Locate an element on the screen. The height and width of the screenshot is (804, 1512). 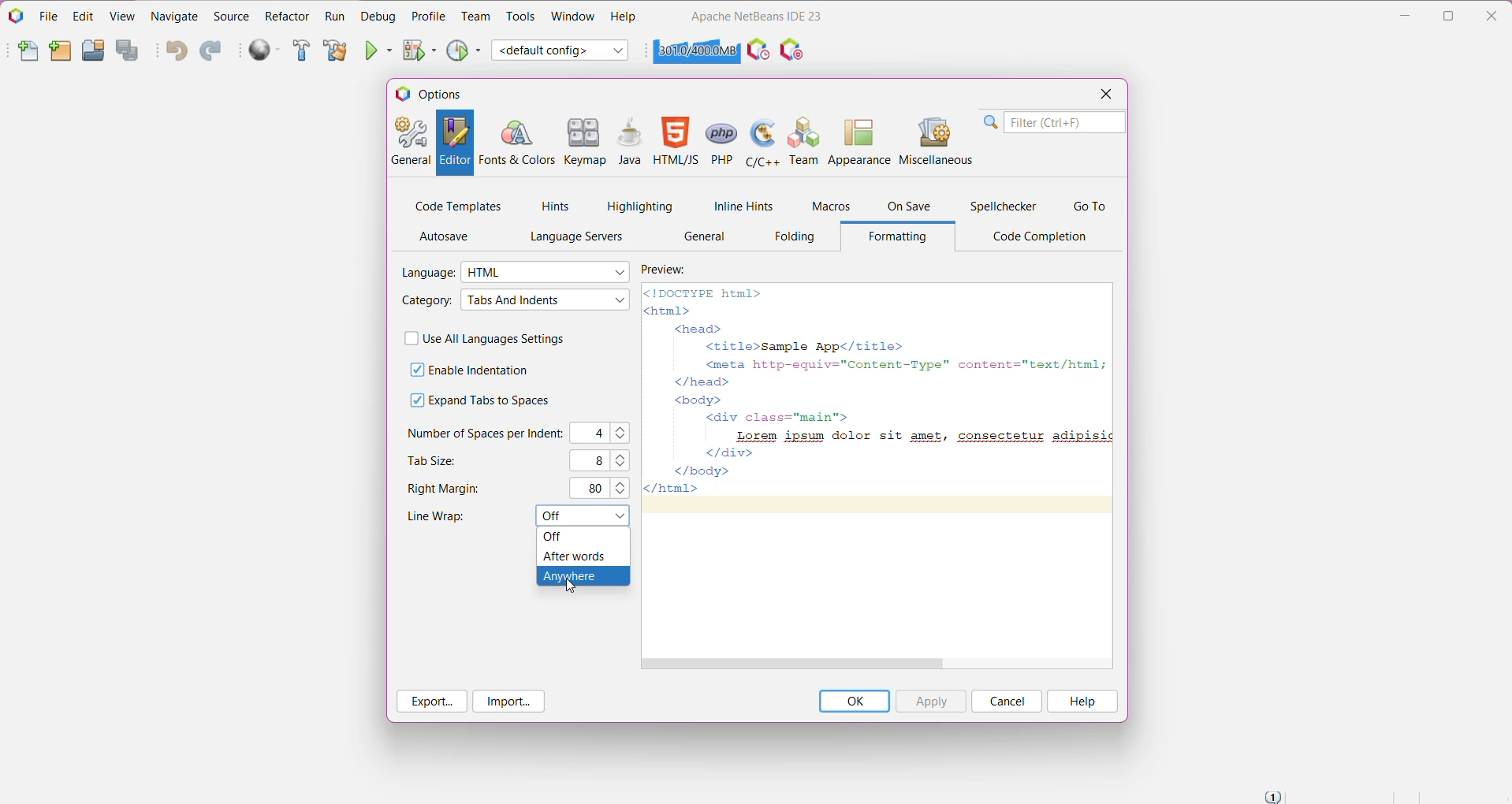
I/O Checks is located at coordinates (797, 49).